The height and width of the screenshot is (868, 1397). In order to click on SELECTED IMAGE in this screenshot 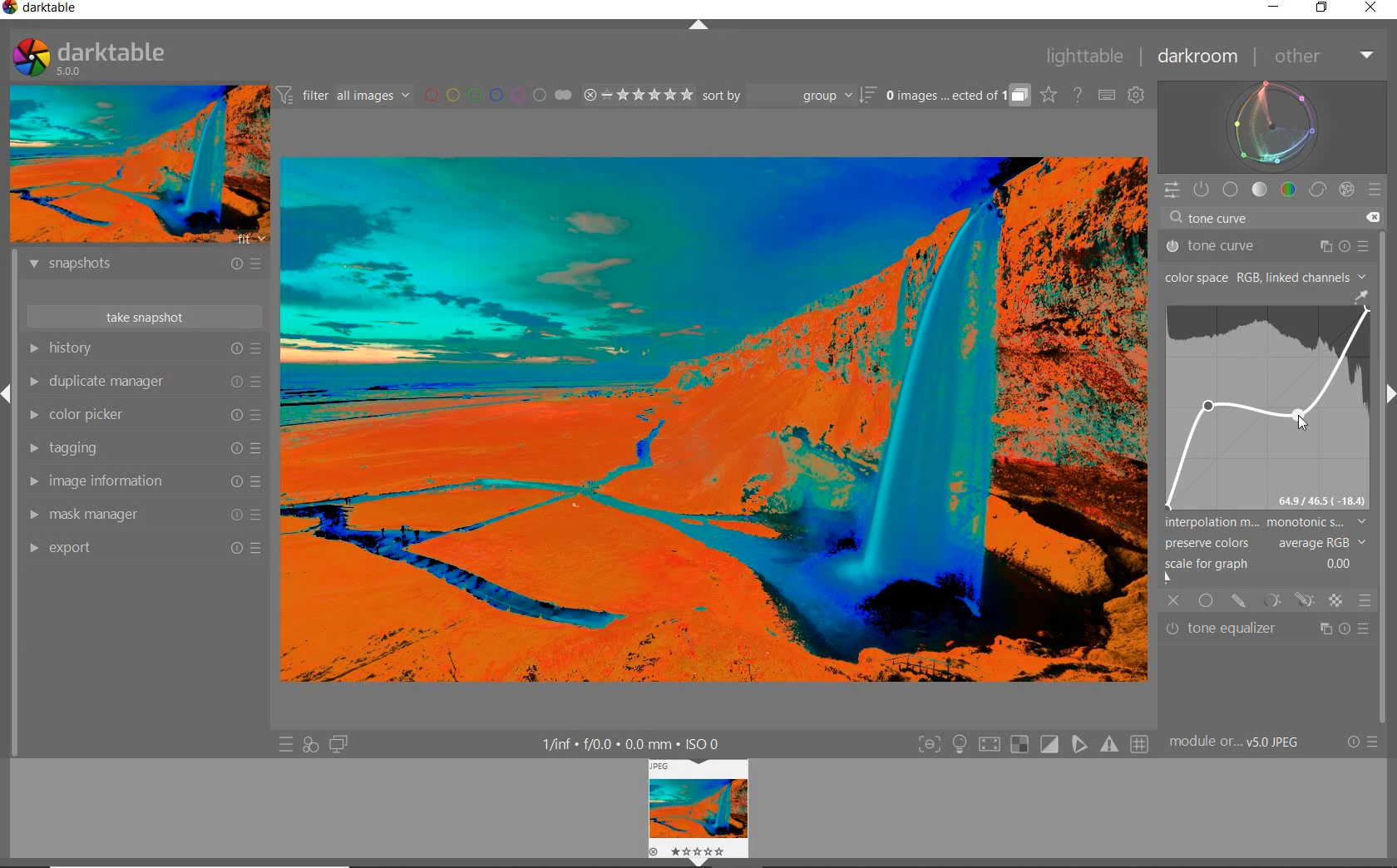, I will do `click(711, 417)`.